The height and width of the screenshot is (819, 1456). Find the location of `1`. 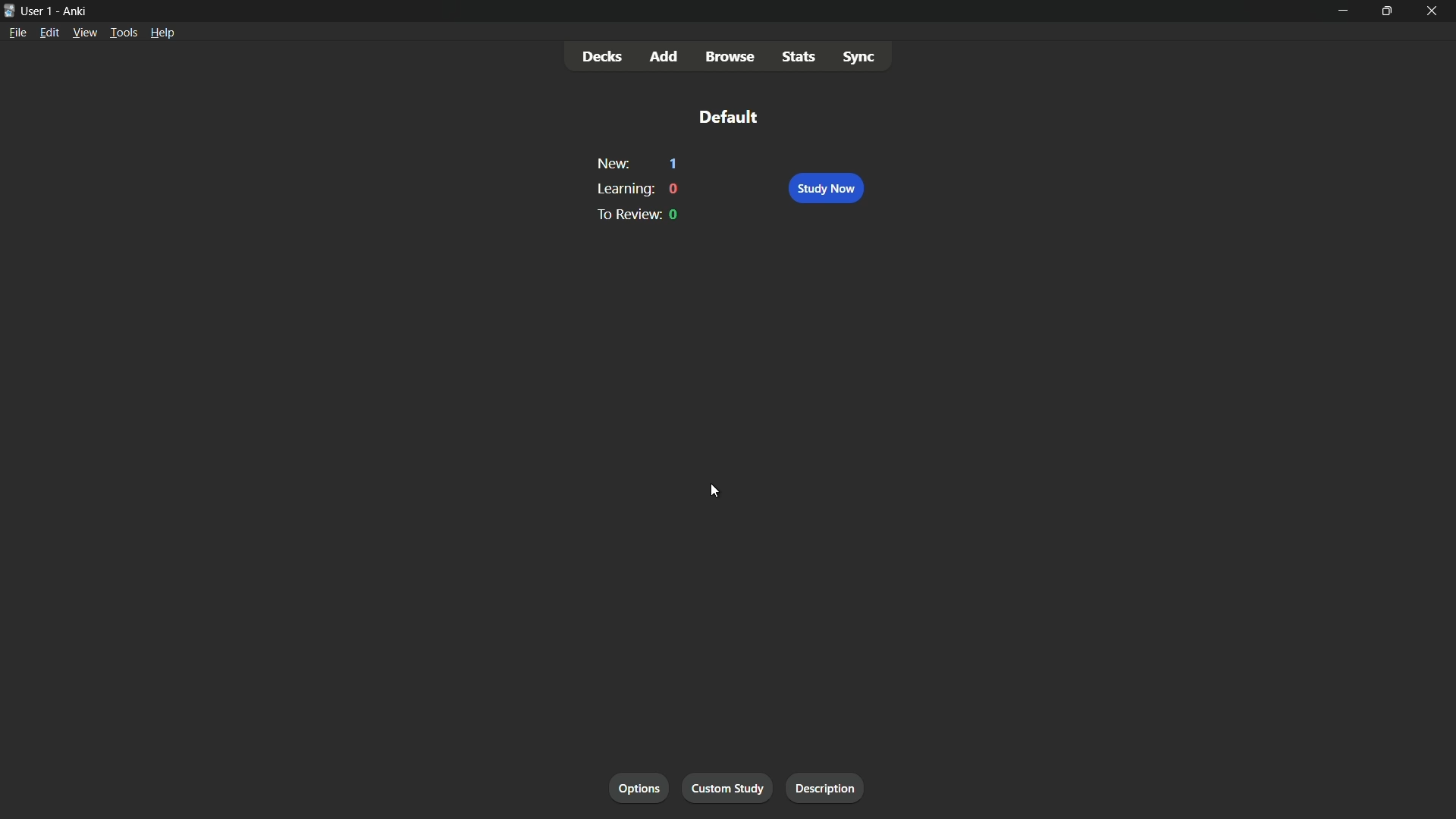

1 is located at coordinates (676, 164).